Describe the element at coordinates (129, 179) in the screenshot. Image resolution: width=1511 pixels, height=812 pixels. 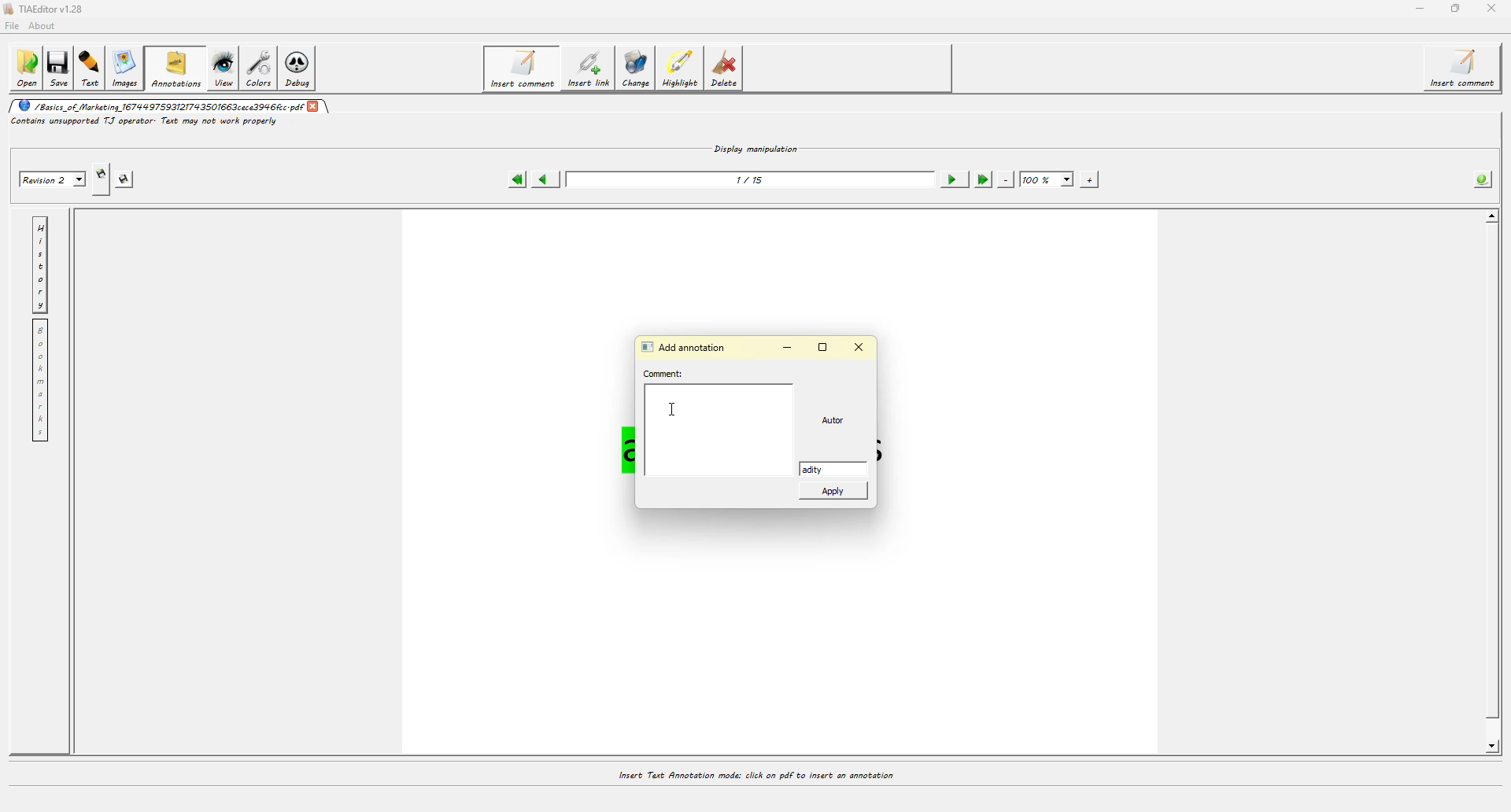
I see `saves this revision` at that location.